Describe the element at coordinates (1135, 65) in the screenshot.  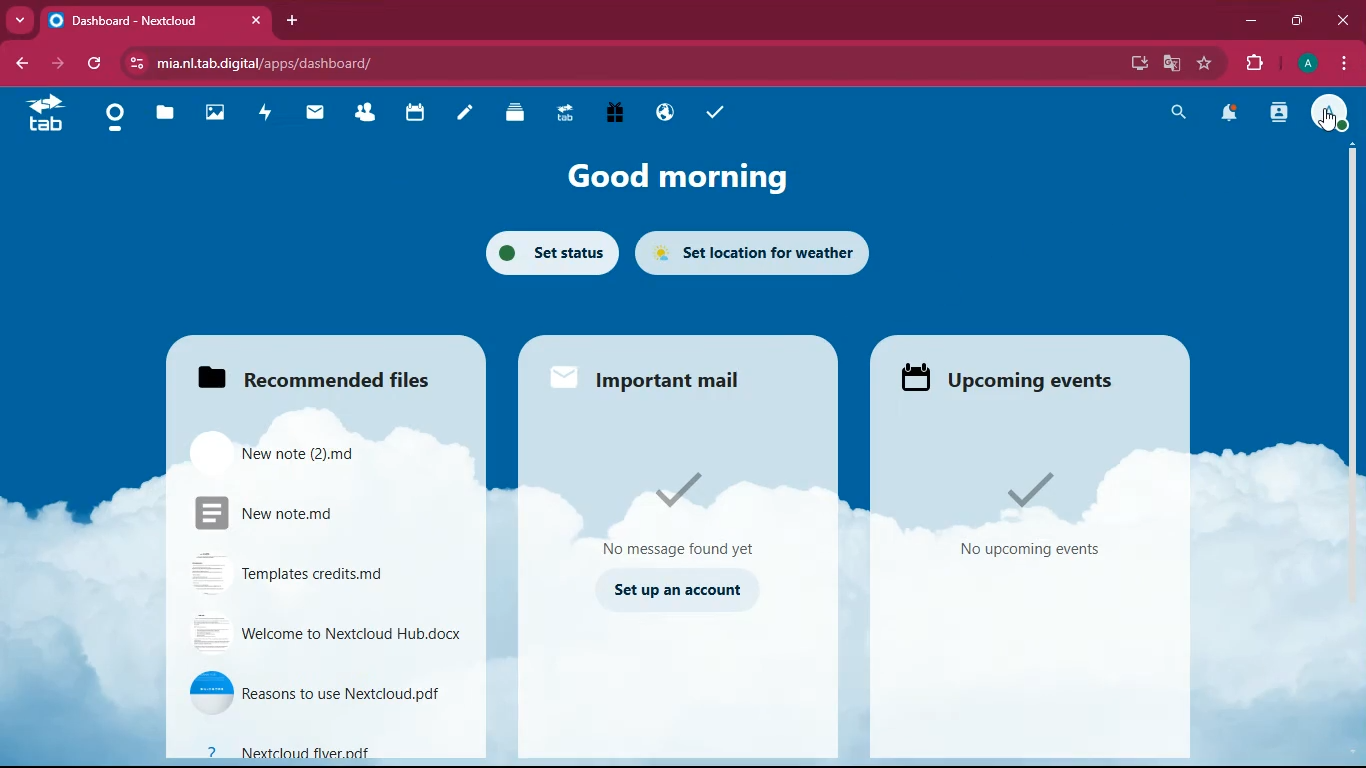
I see `desktop` at that location.